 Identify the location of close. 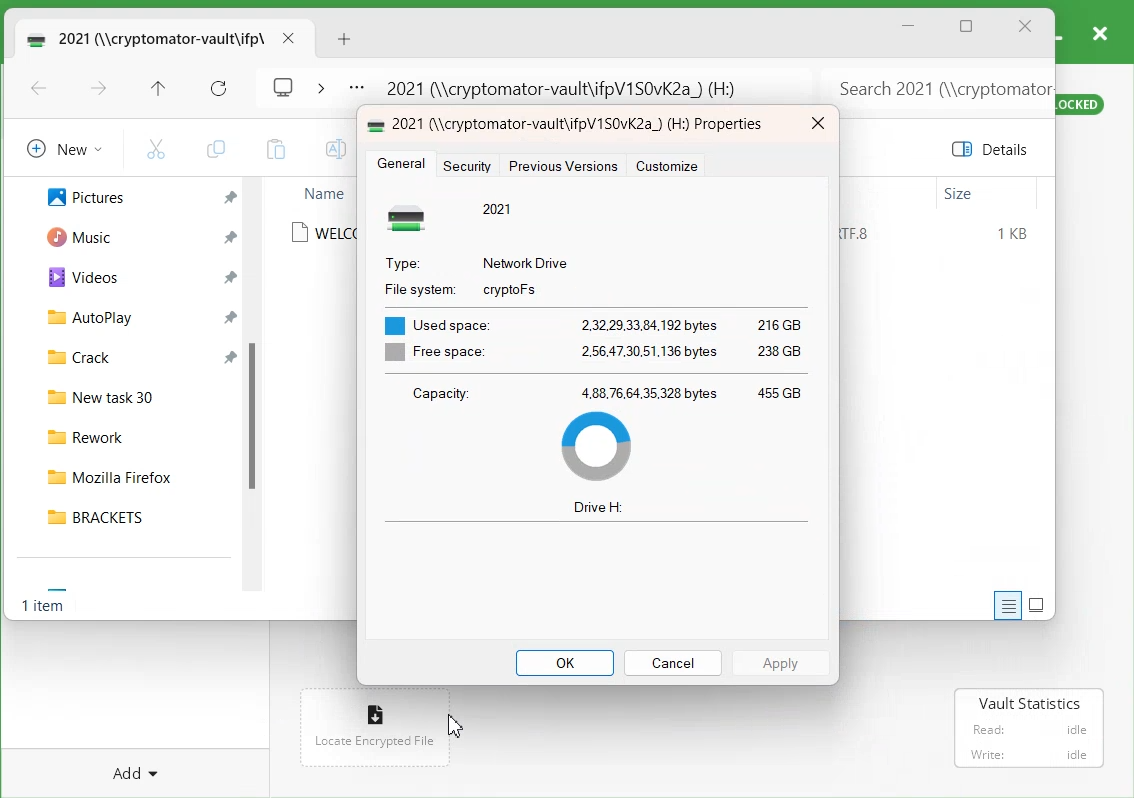
(1099, 32).